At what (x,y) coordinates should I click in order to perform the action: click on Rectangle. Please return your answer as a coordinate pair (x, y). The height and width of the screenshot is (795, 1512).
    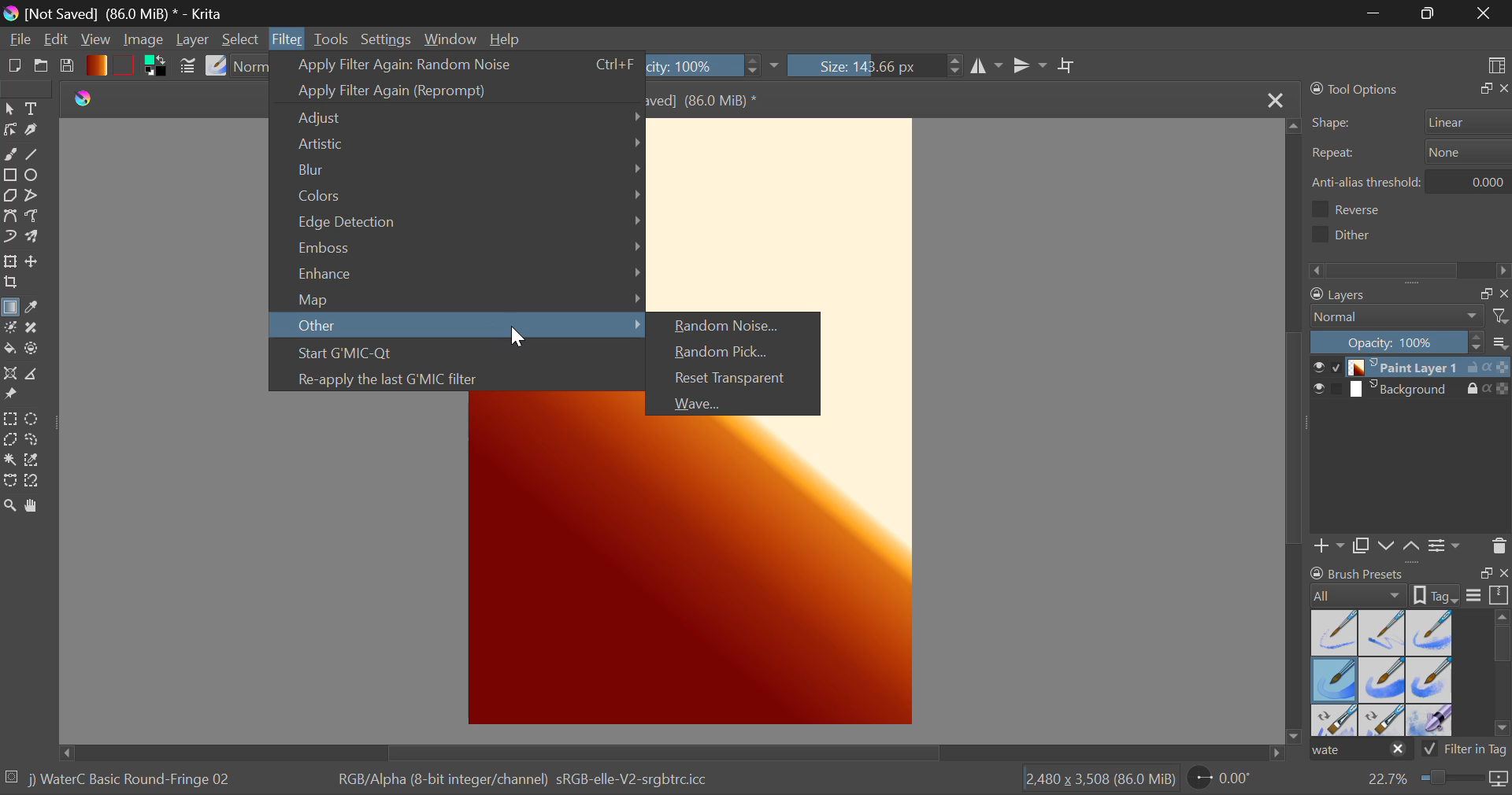
    Looking at the image, I should click on (9, 175).